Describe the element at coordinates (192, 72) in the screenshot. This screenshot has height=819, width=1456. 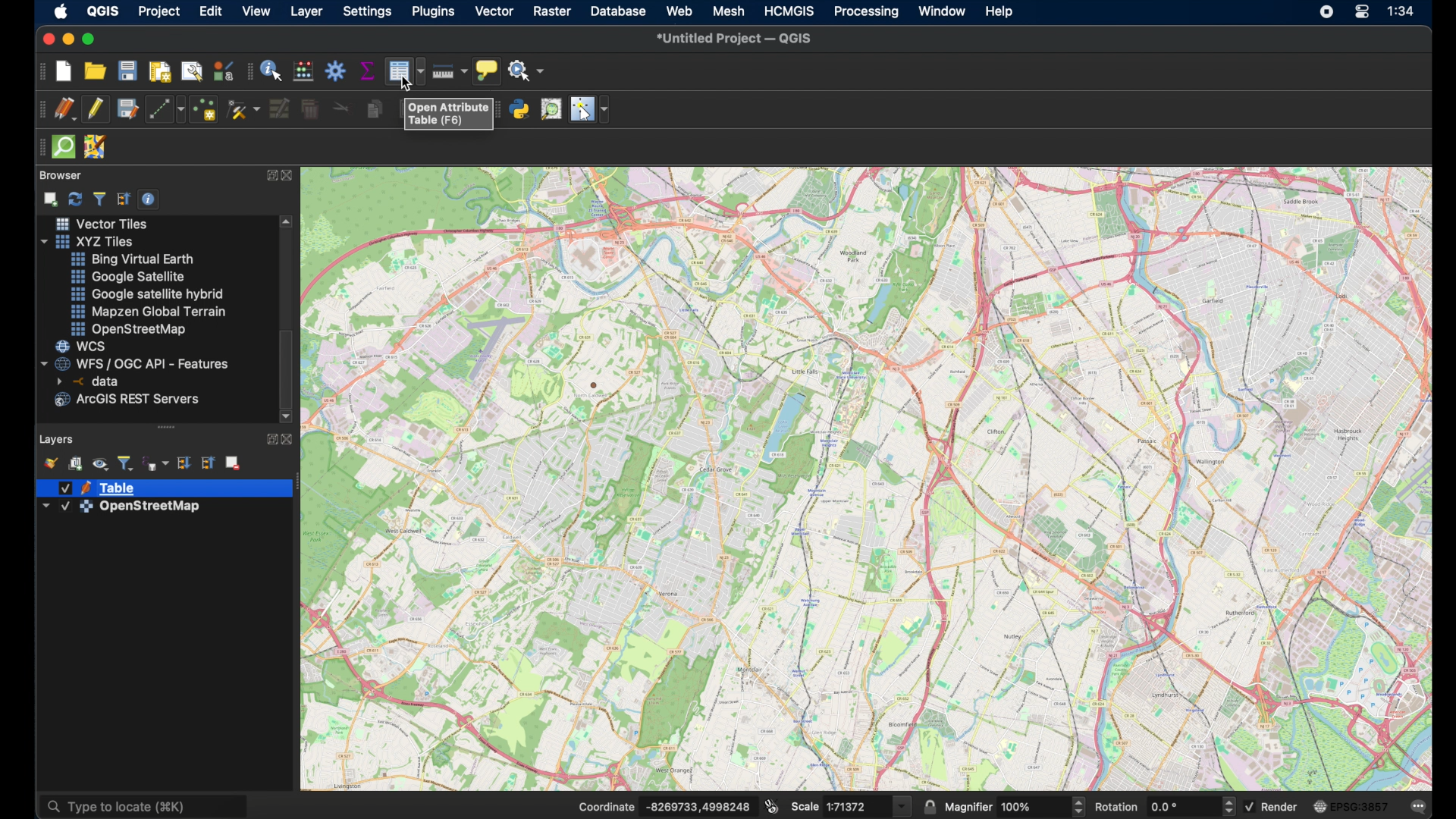
I see `show layout manager` at that location.